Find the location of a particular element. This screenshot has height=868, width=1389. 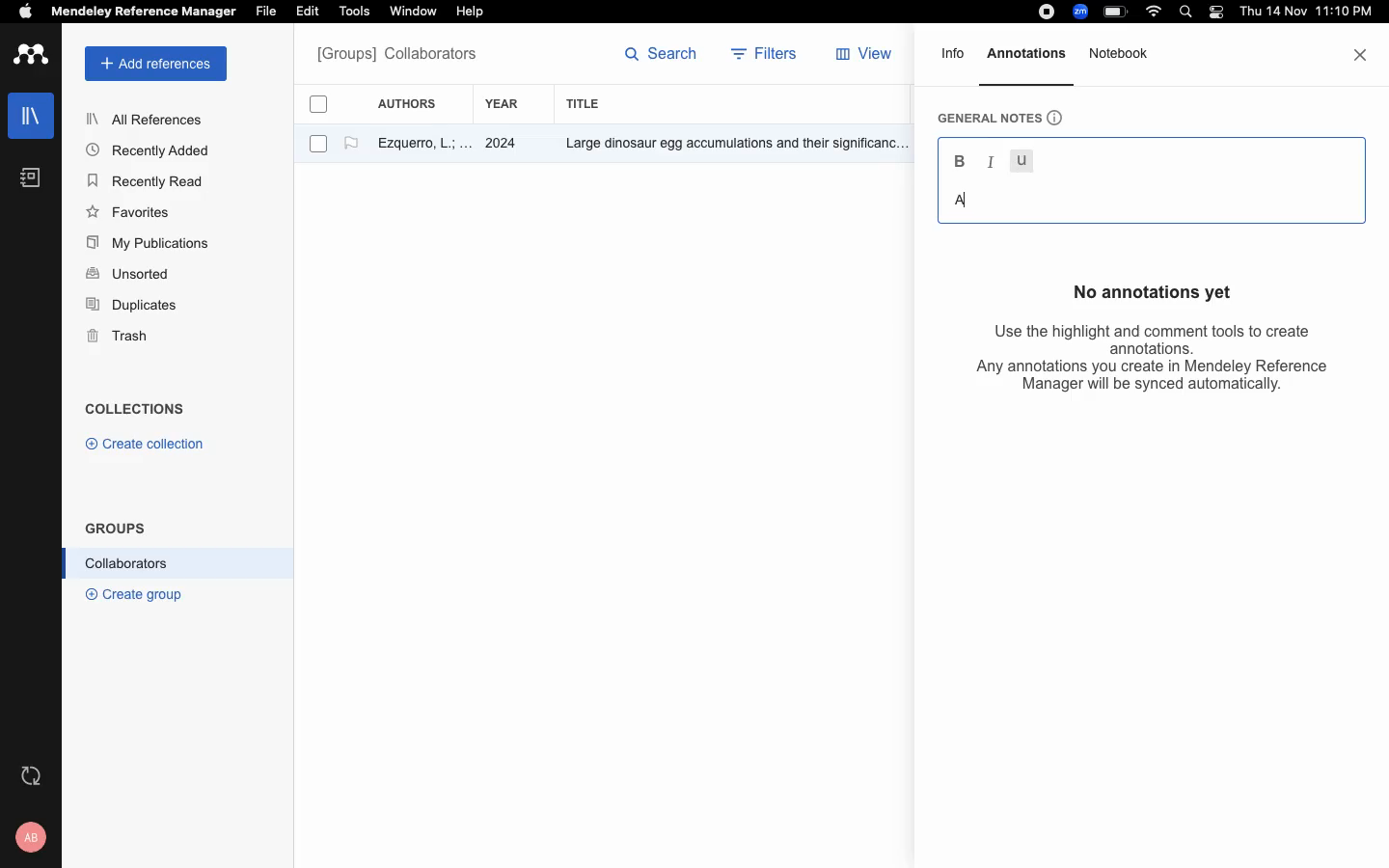

text is located at coordinates (976, 201).